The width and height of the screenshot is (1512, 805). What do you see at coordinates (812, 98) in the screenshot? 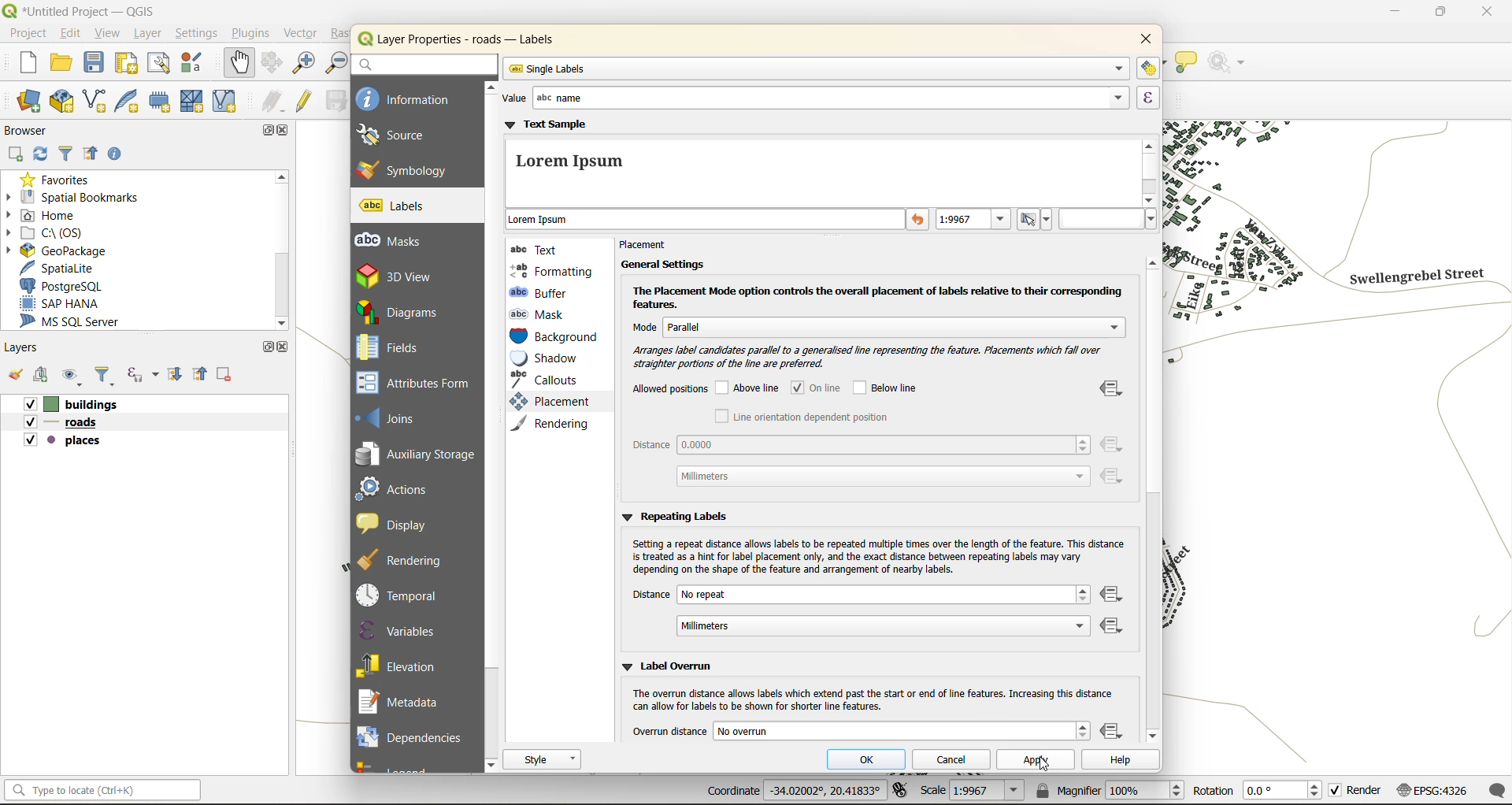
I see `value` at bounding box center [812, 98].